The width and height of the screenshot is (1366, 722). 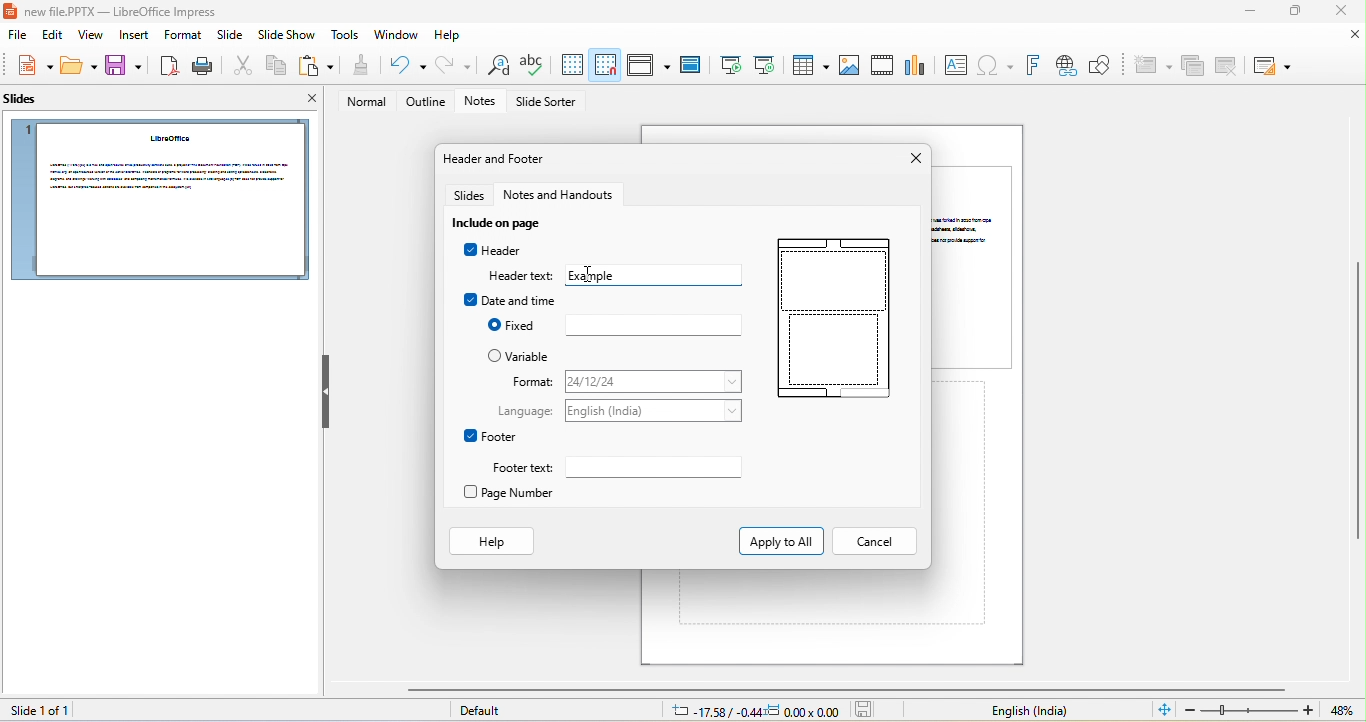 What do you see at coordinates (588, 275) in the screenshot?
I see `cursor movement` at bounding box center [588, 275].